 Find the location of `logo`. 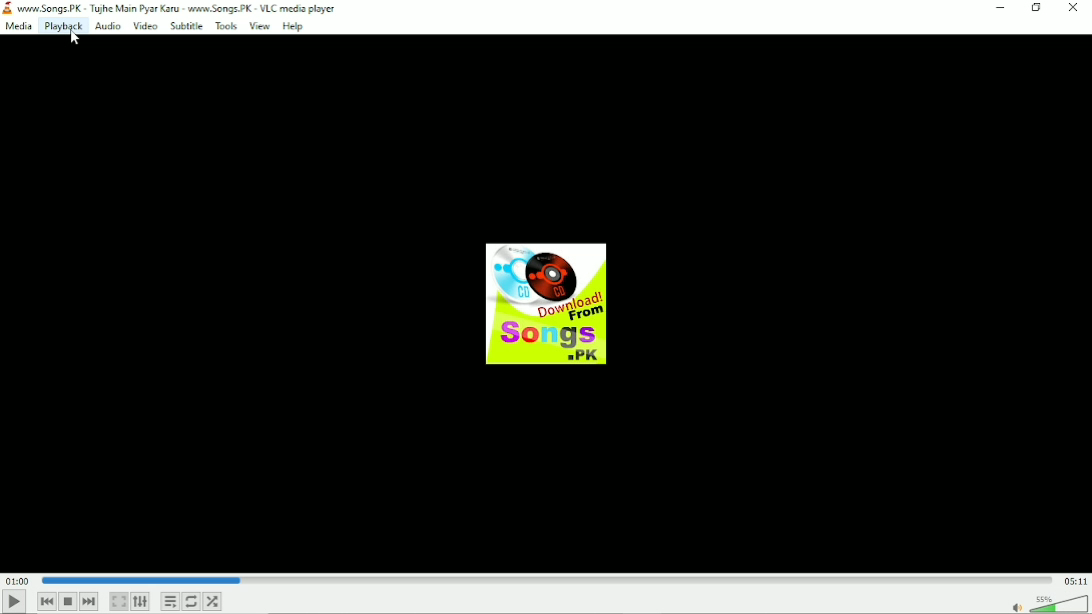

logo is located at coordinates (8, 9).